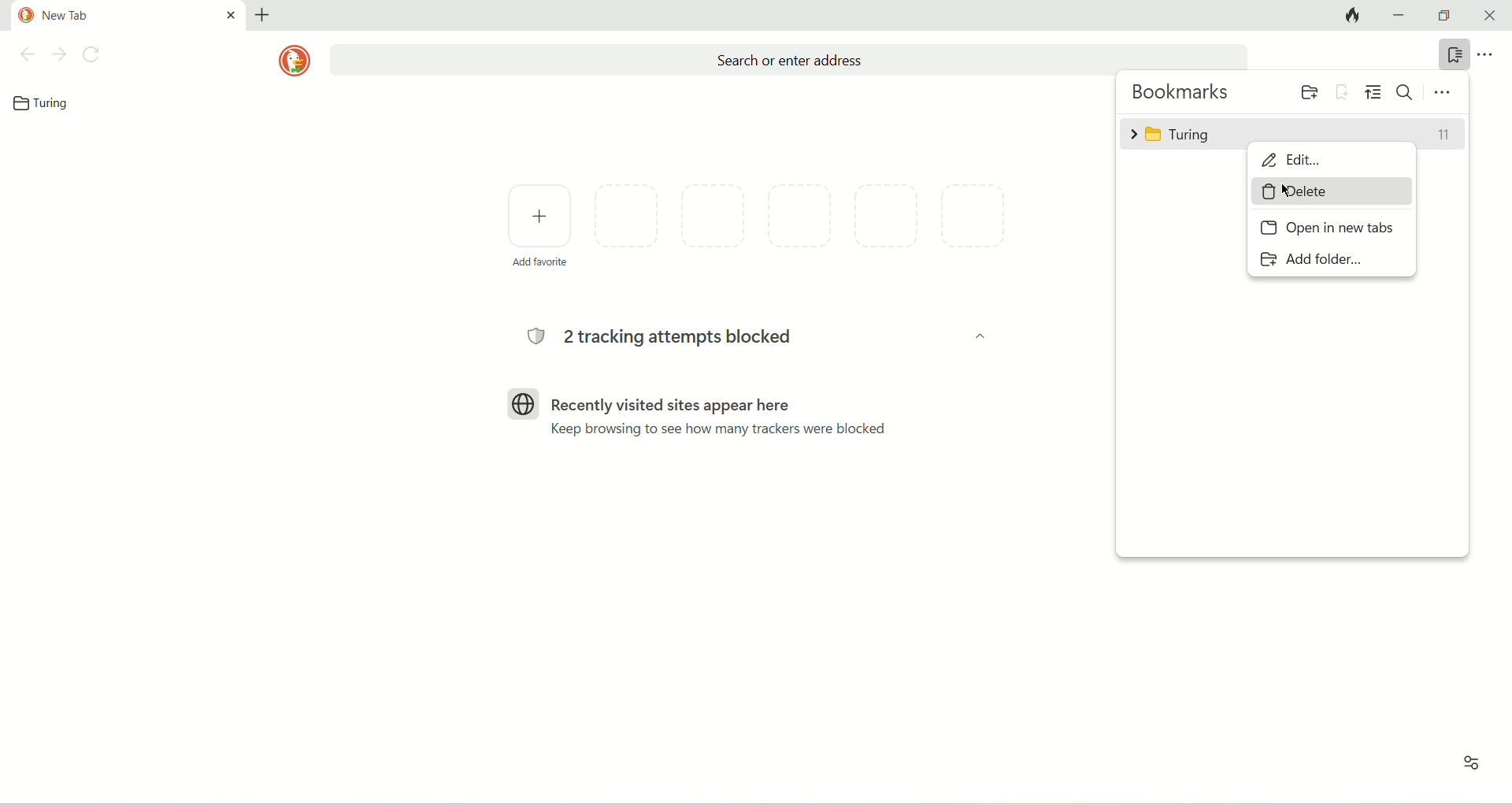 This screenshot has width=1512, height=805. Describe the element at coordinates (1286, 191) in the screenshot. I see `cursor` at that location.